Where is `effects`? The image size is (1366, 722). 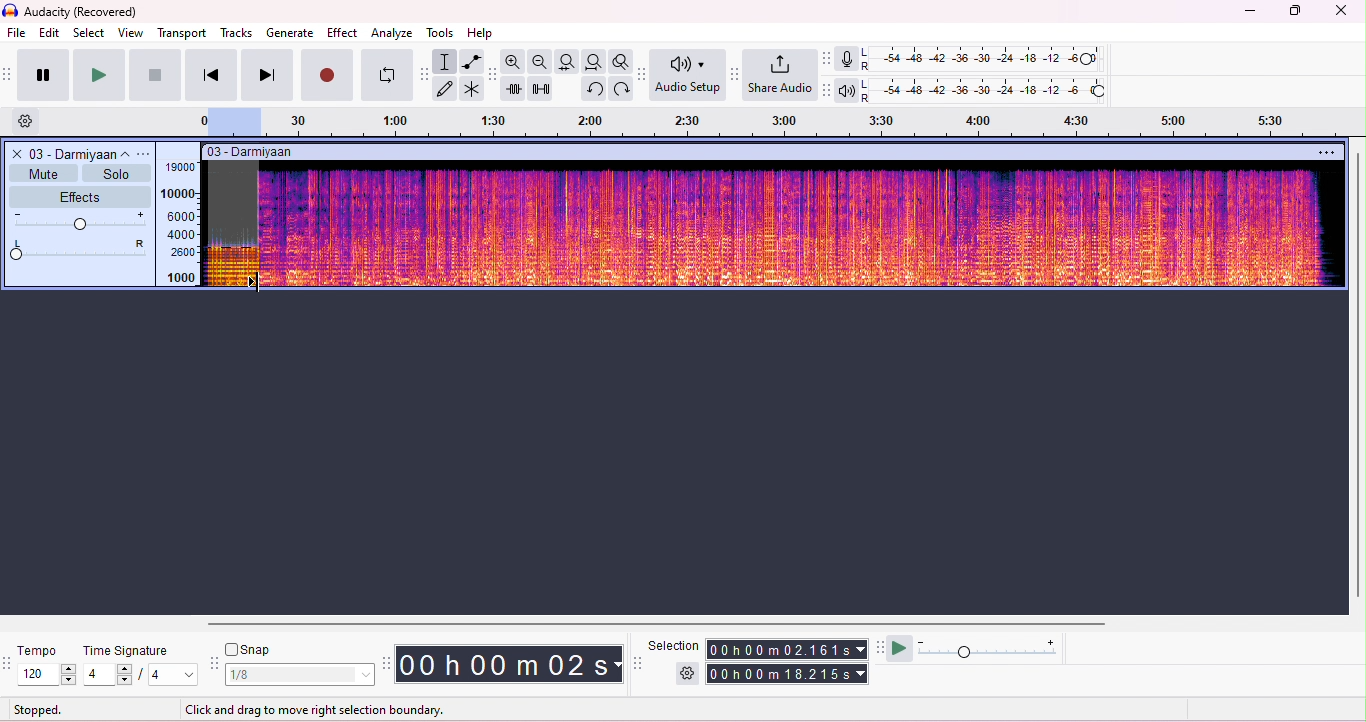
effects is located at coordinates (79, 195).